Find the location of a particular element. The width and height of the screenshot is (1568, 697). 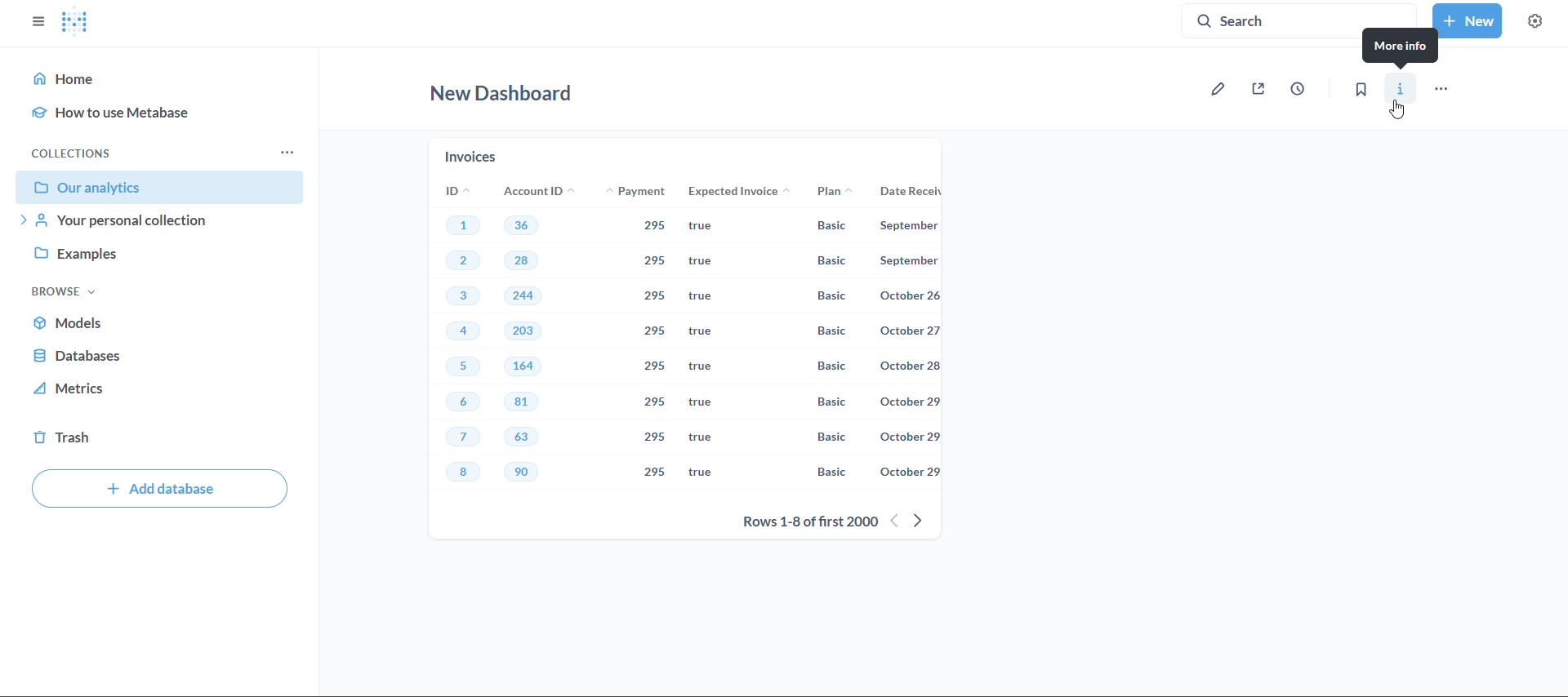

account ID's is located at coordinates (537, 191).